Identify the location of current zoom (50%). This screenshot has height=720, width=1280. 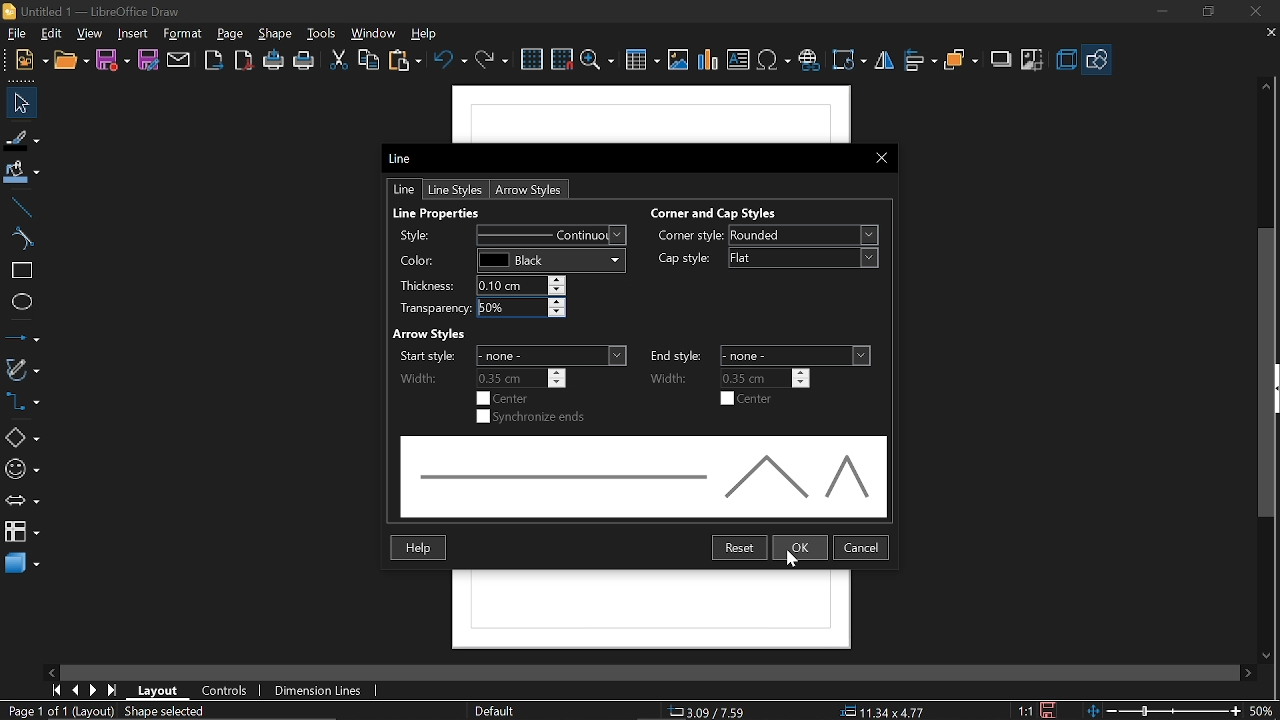
(1263, 711).